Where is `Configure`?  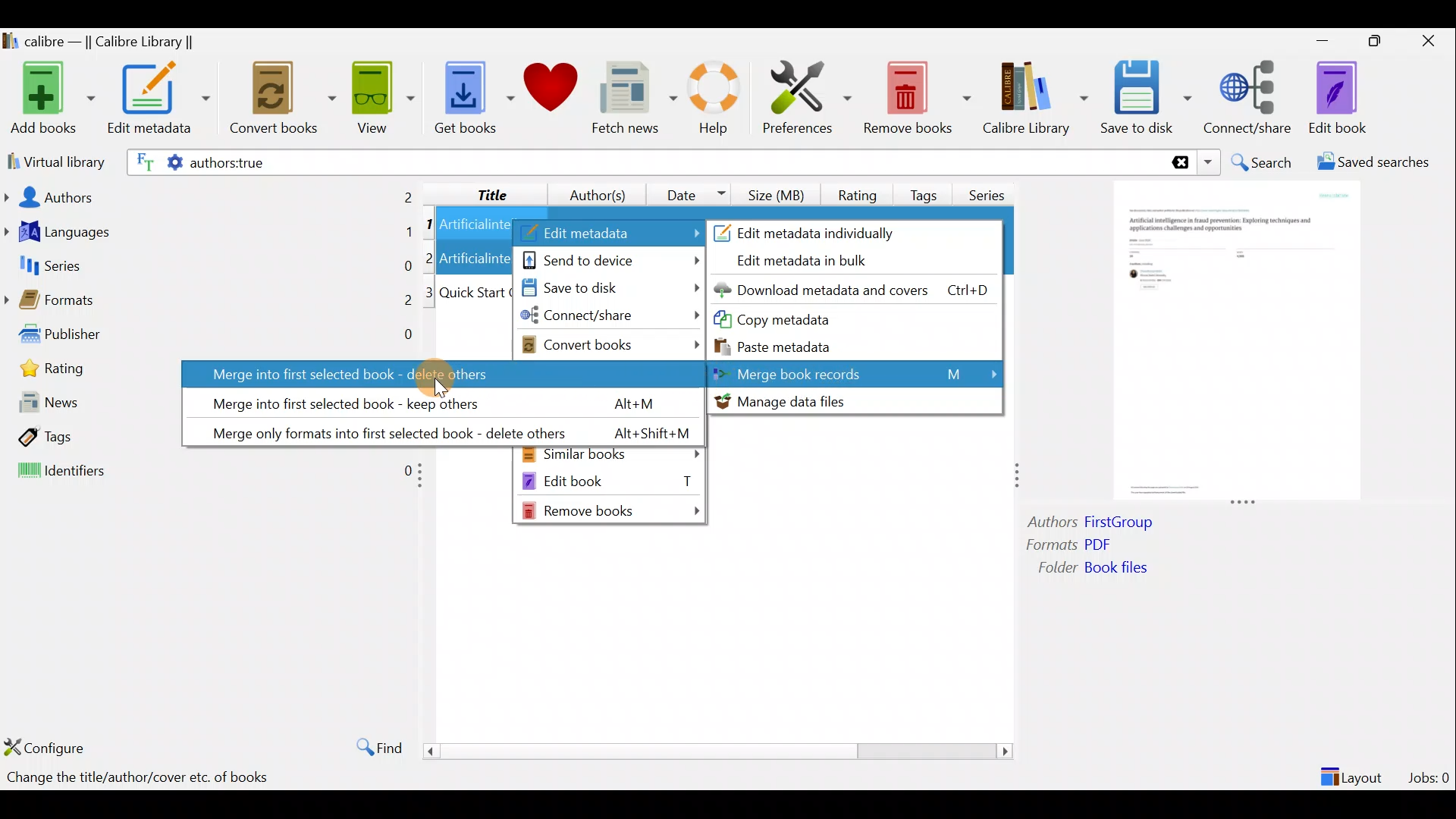 Configure is located at coordinates (49, 747).